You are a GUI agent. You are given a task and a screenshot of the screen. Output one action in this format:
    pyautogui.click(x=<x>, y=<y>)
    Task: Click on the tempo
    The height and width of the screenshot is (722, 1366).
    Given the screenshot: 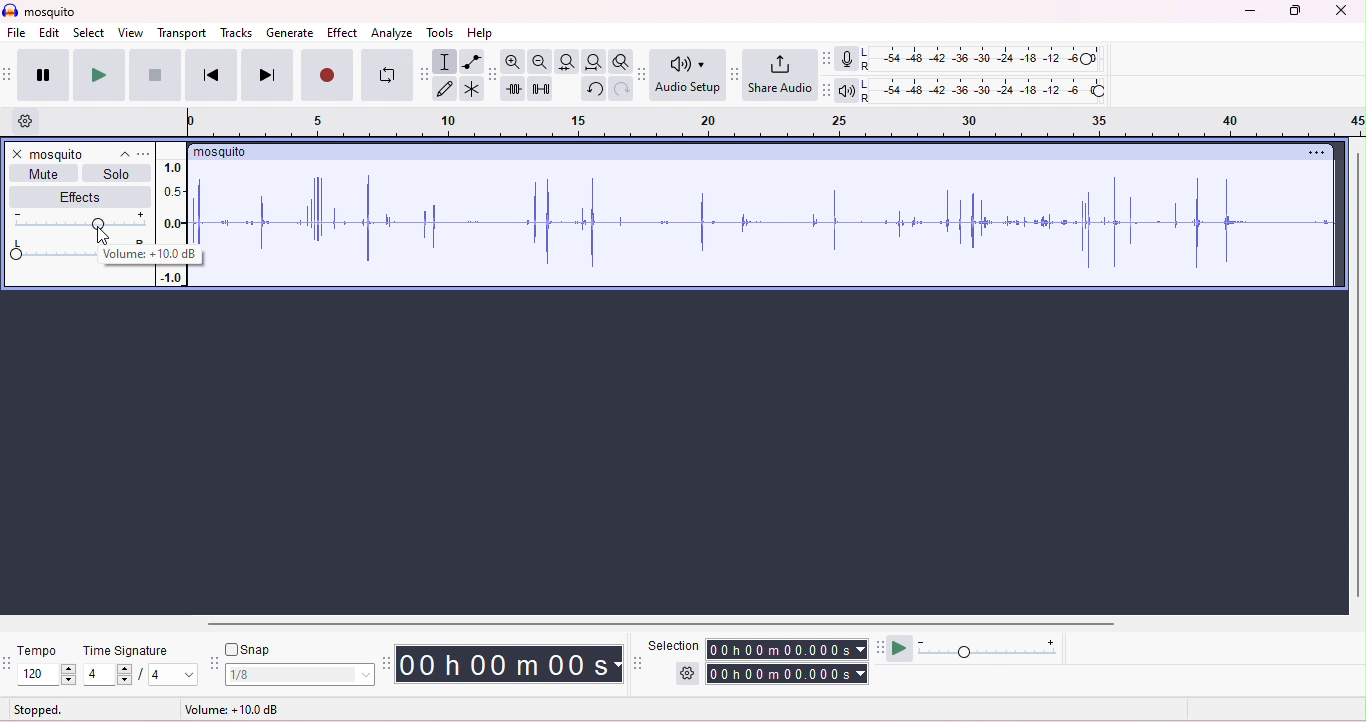 What is the action you would take?
    pyautogui.click(x=38, y=651)
    